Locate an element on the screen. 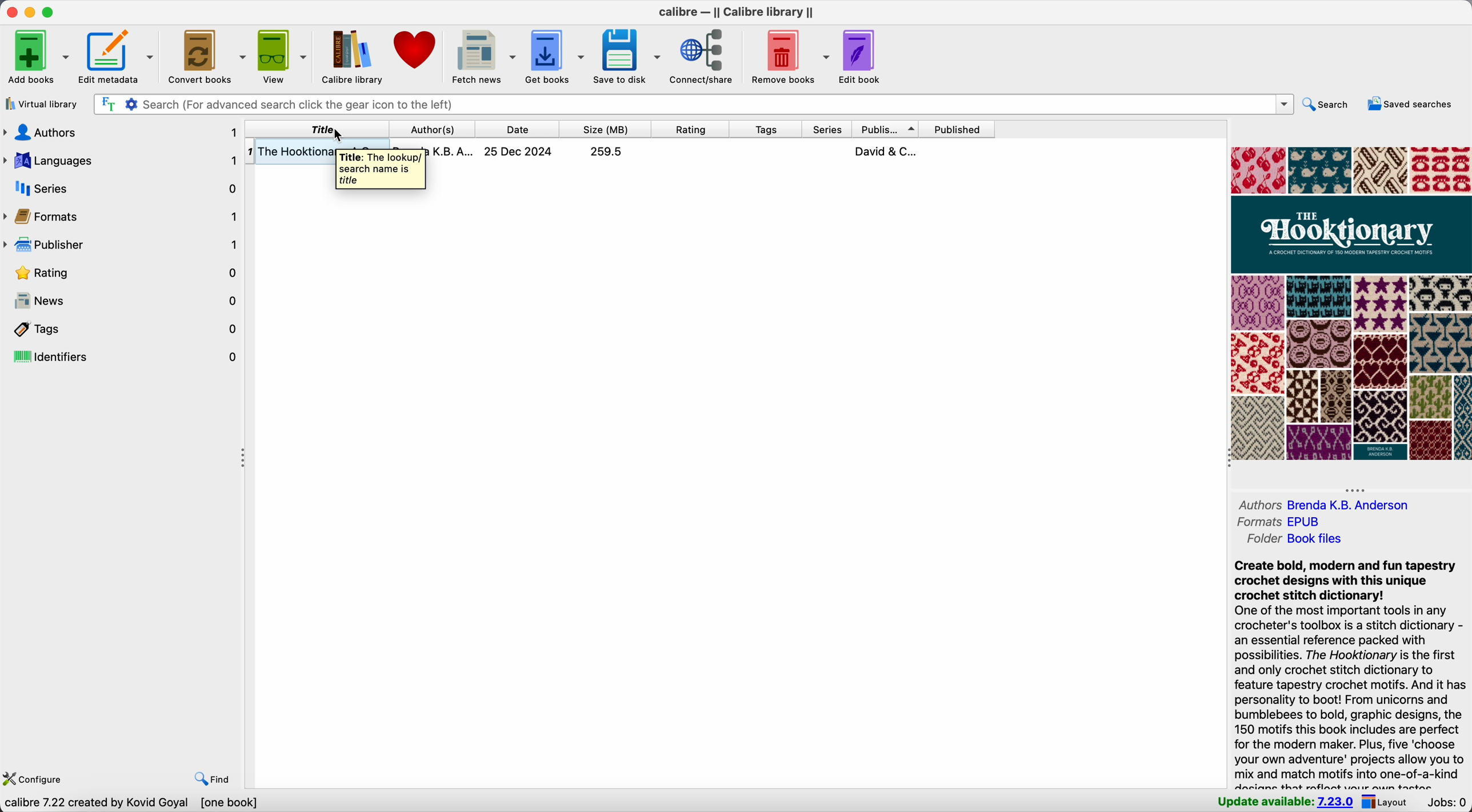 The image size is (1472, 812). rating is located at coordinates (122, 274).